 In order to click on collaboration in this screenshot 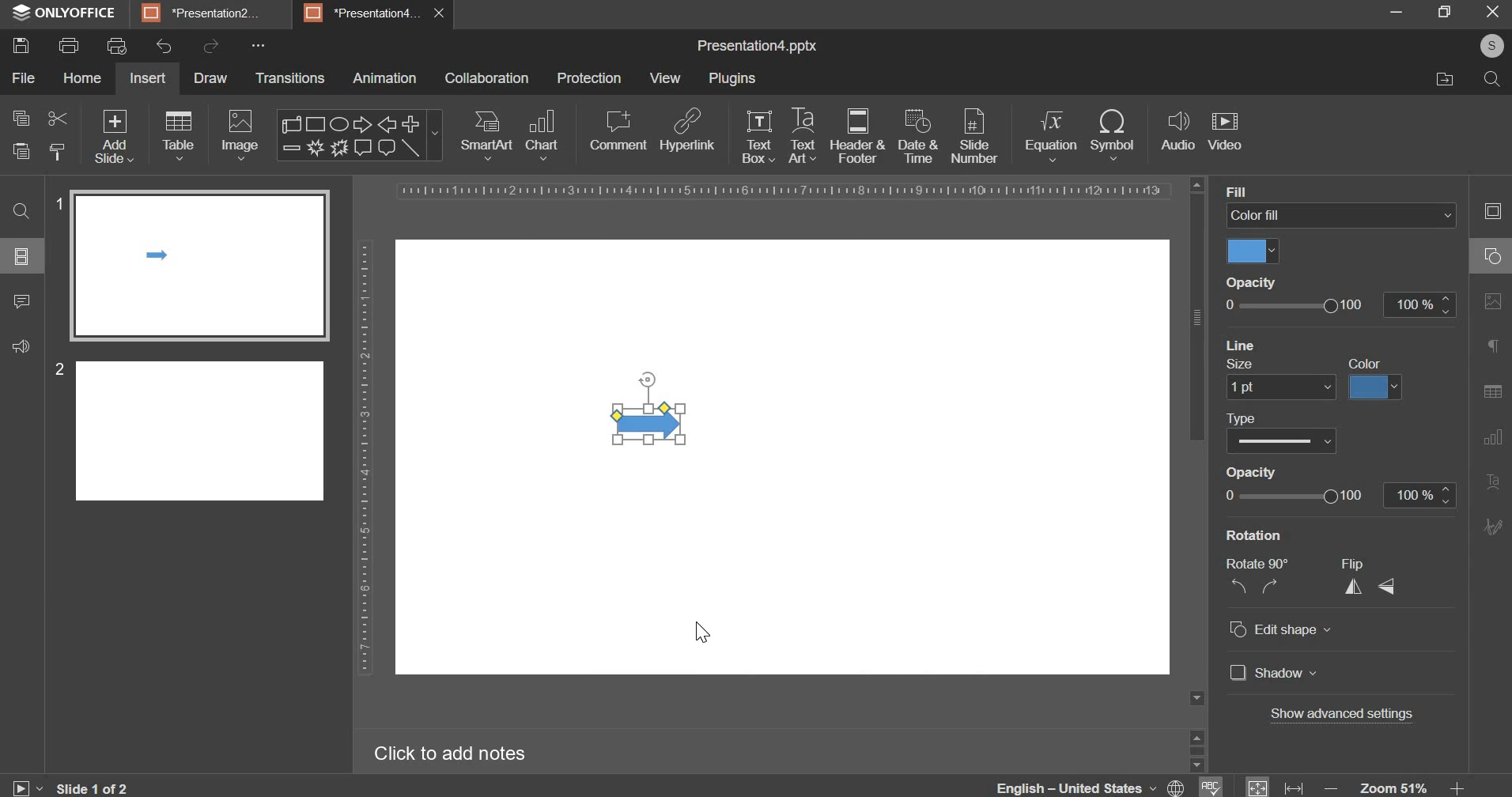, I will do `click(489, 78)`.